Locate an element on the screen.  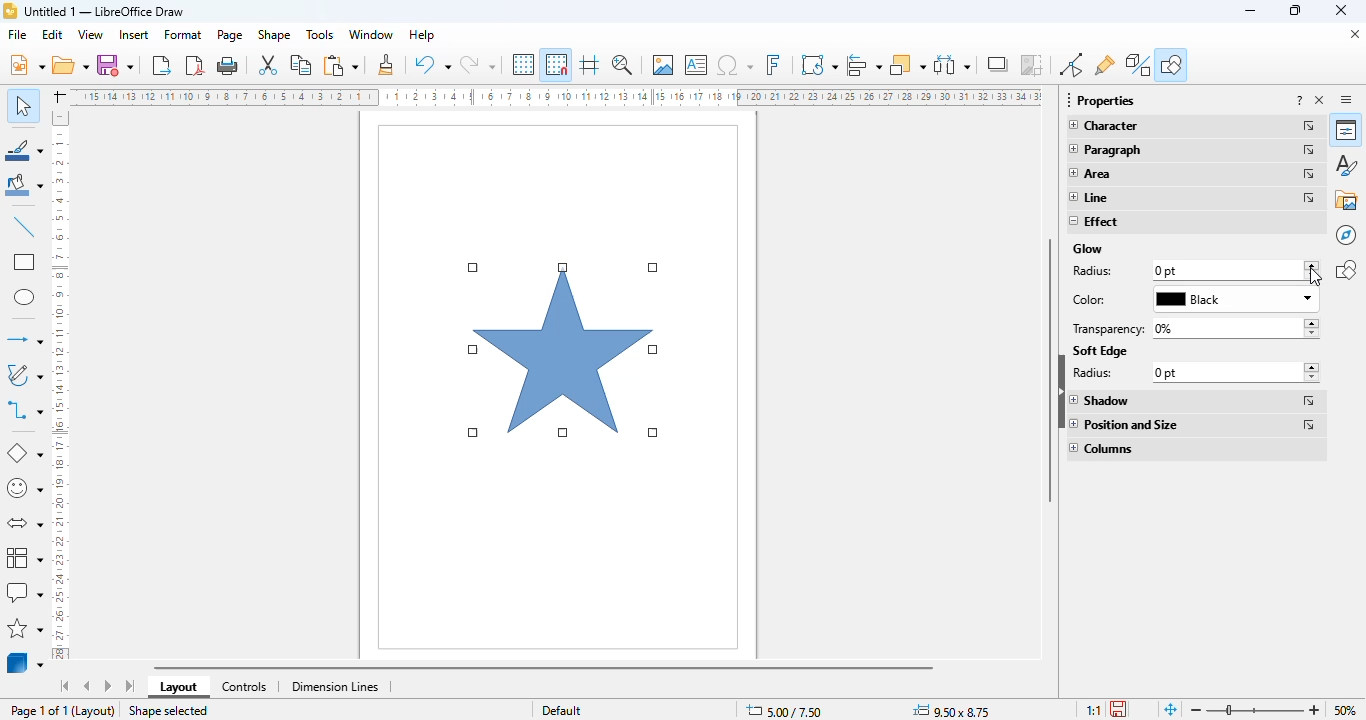
vertical scroll bar is located at coordinates (1049, 371).